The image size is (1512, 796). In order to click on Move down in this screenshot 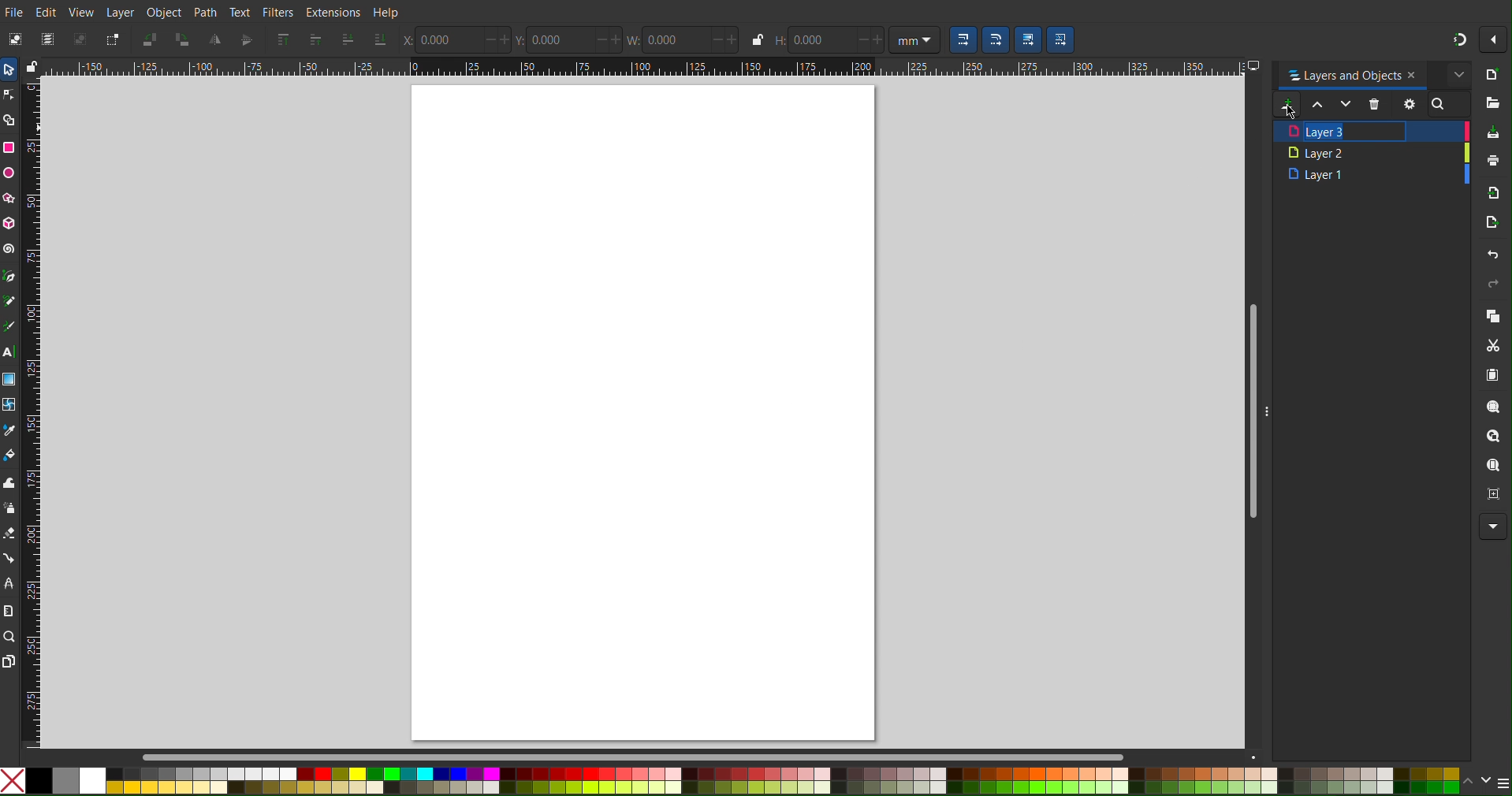, I will do `click(1346, 106)`.